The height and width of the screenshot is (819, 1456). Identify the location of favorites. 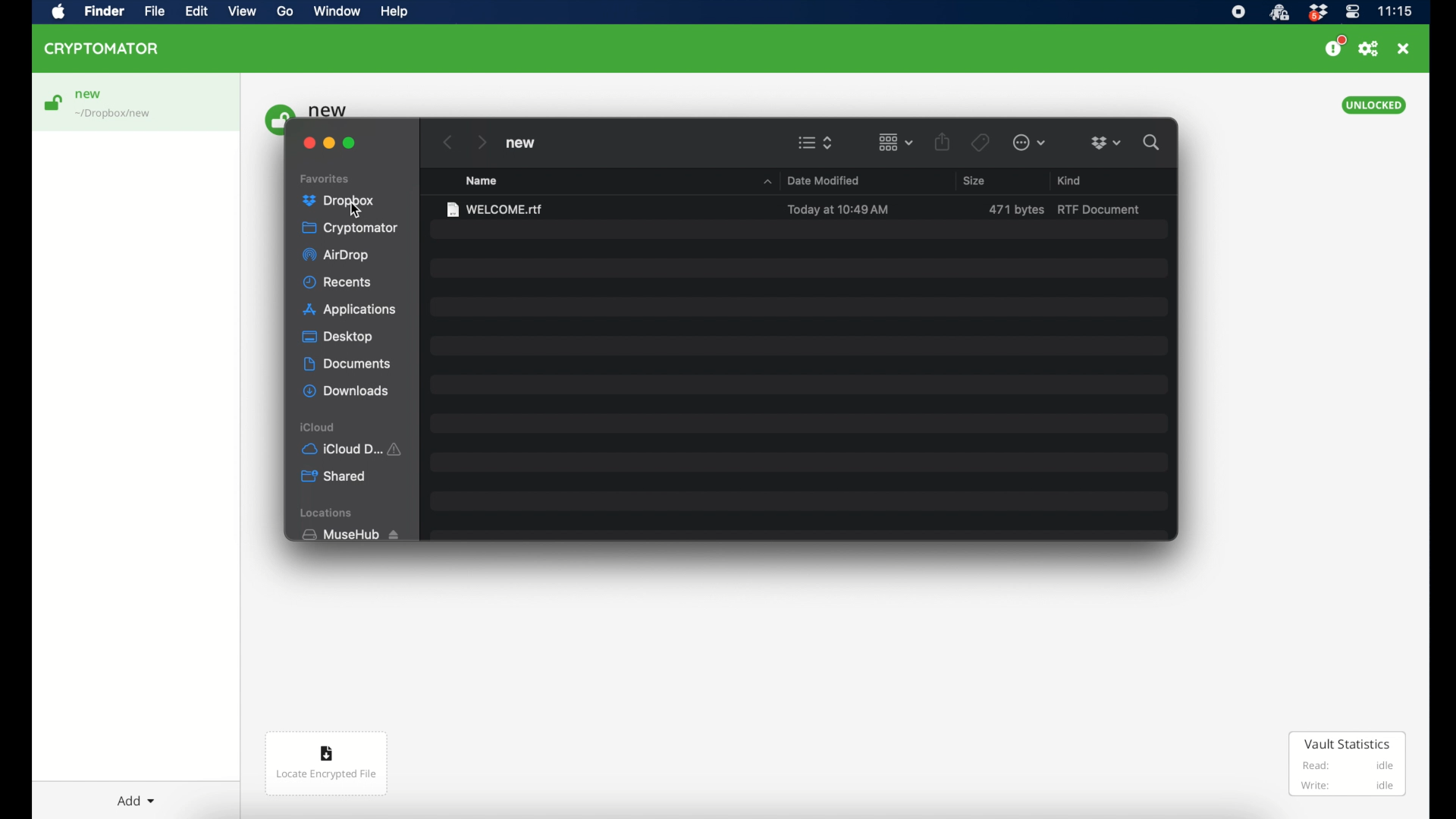
(325, 179).